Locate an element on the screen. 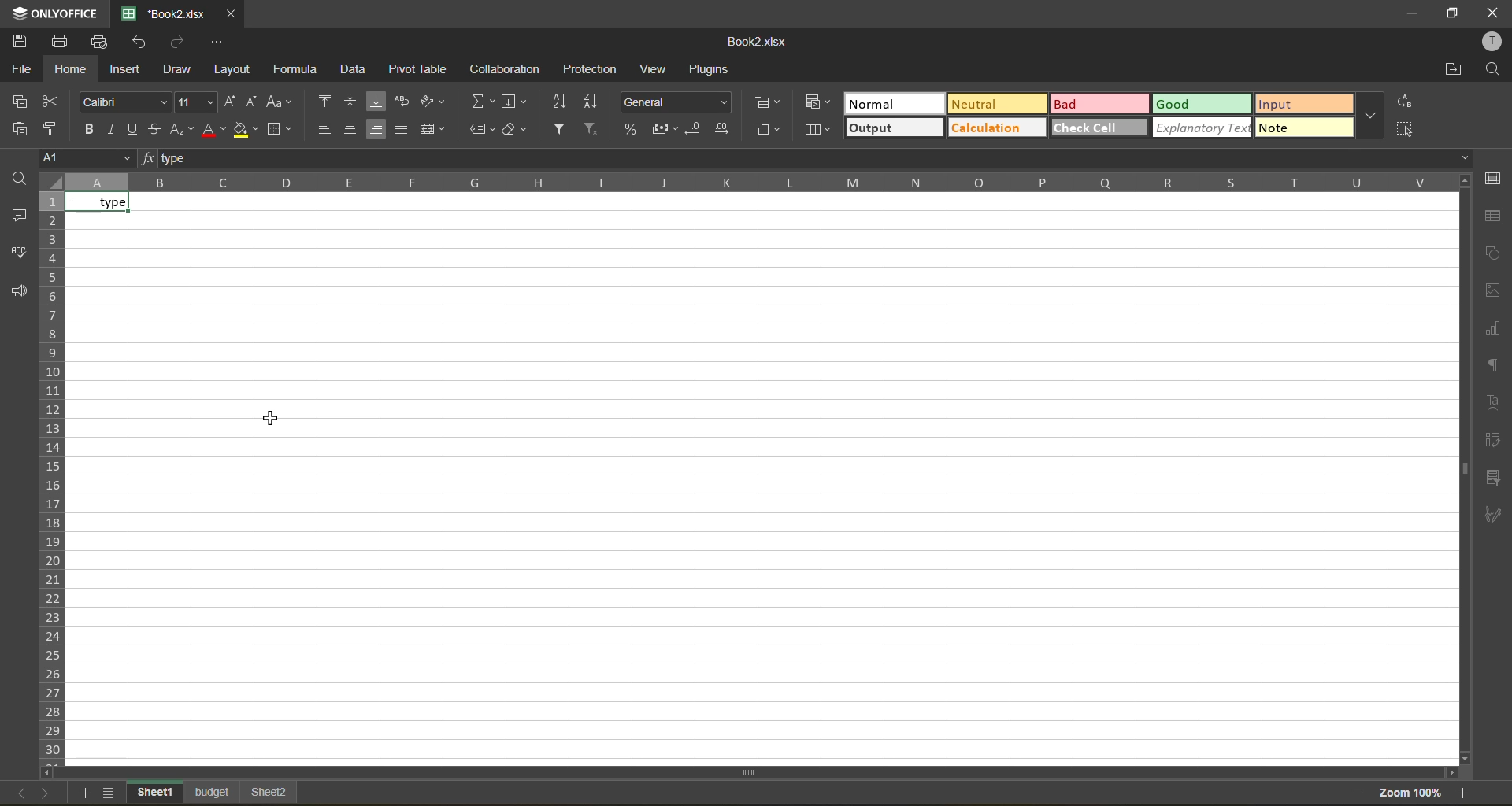 The height and width of the screenshot is (806, 1512). plugins is located at coordinates (713, 70).